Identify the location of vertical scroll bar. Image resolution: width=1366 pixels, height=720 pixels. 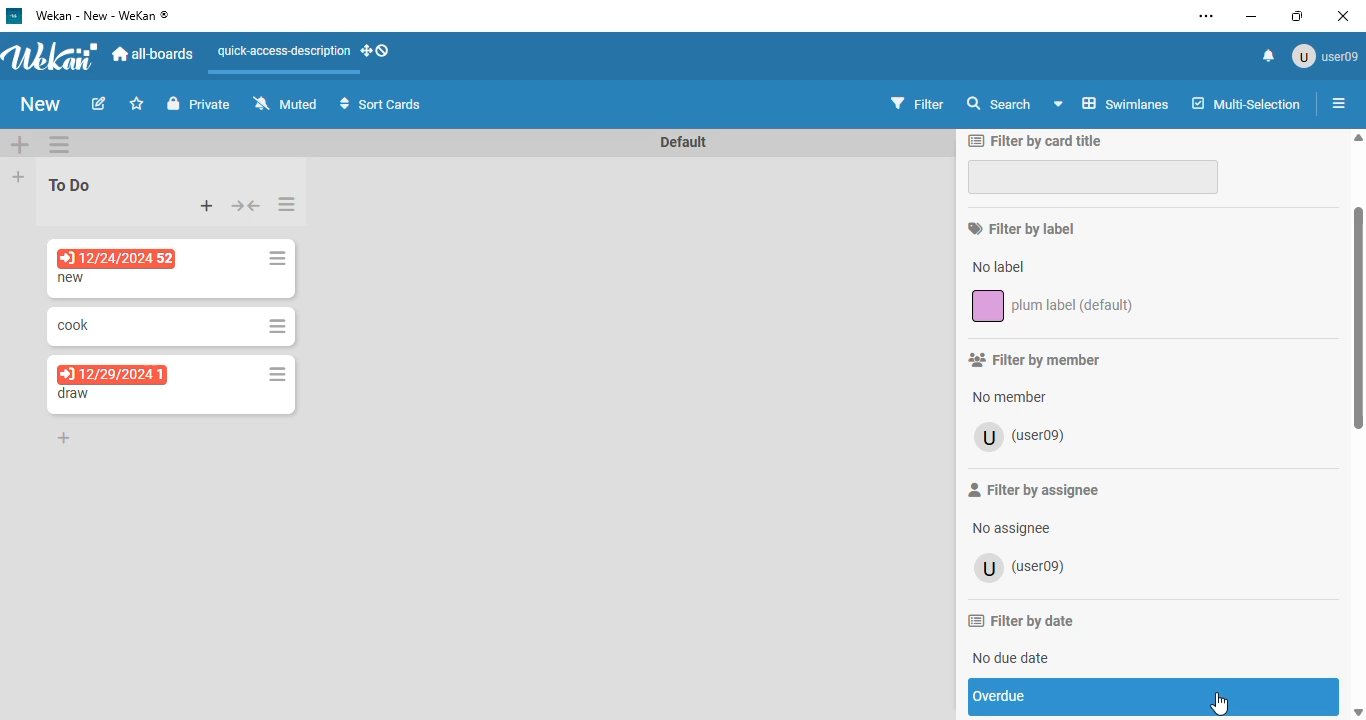
(1356, 424).